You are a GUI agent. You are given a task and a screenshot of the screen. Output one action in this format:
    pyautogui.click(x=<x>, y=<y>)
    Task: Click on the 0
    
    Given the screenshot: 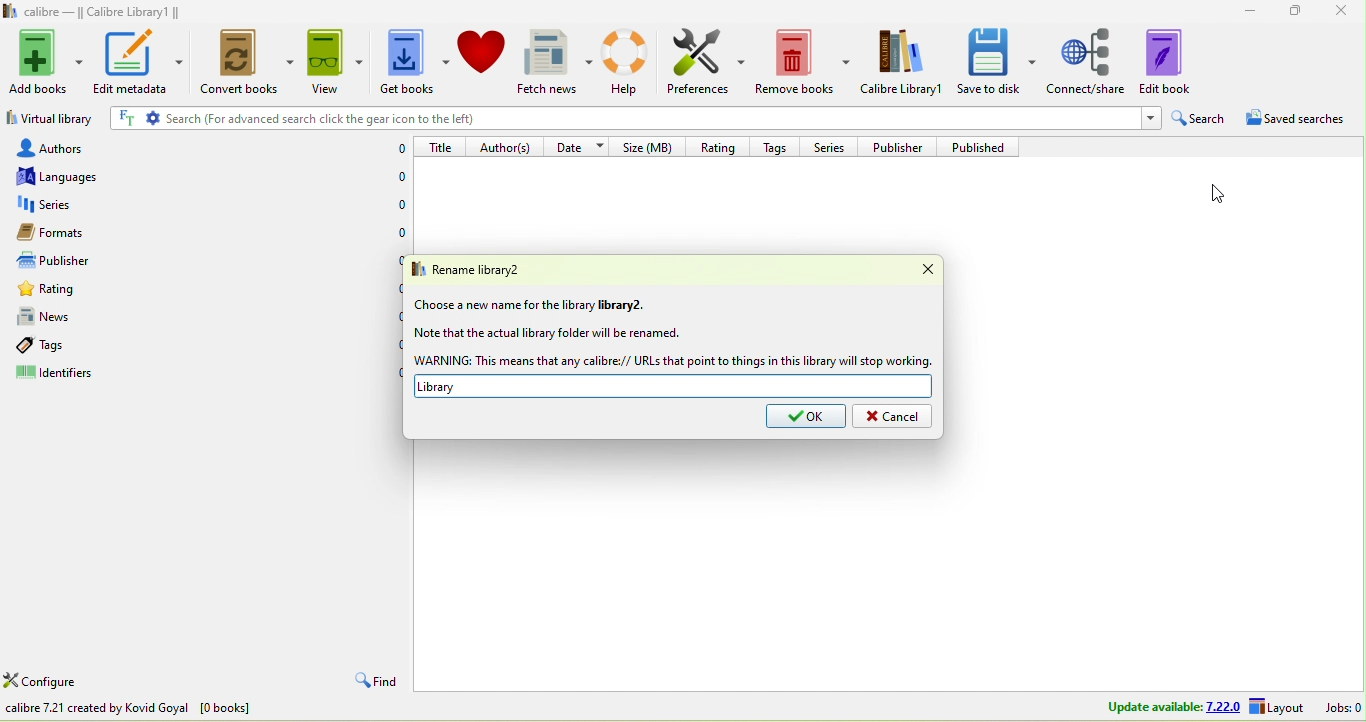 What is the action you would take?
    pyautogui.click(x=398, y=235)
    